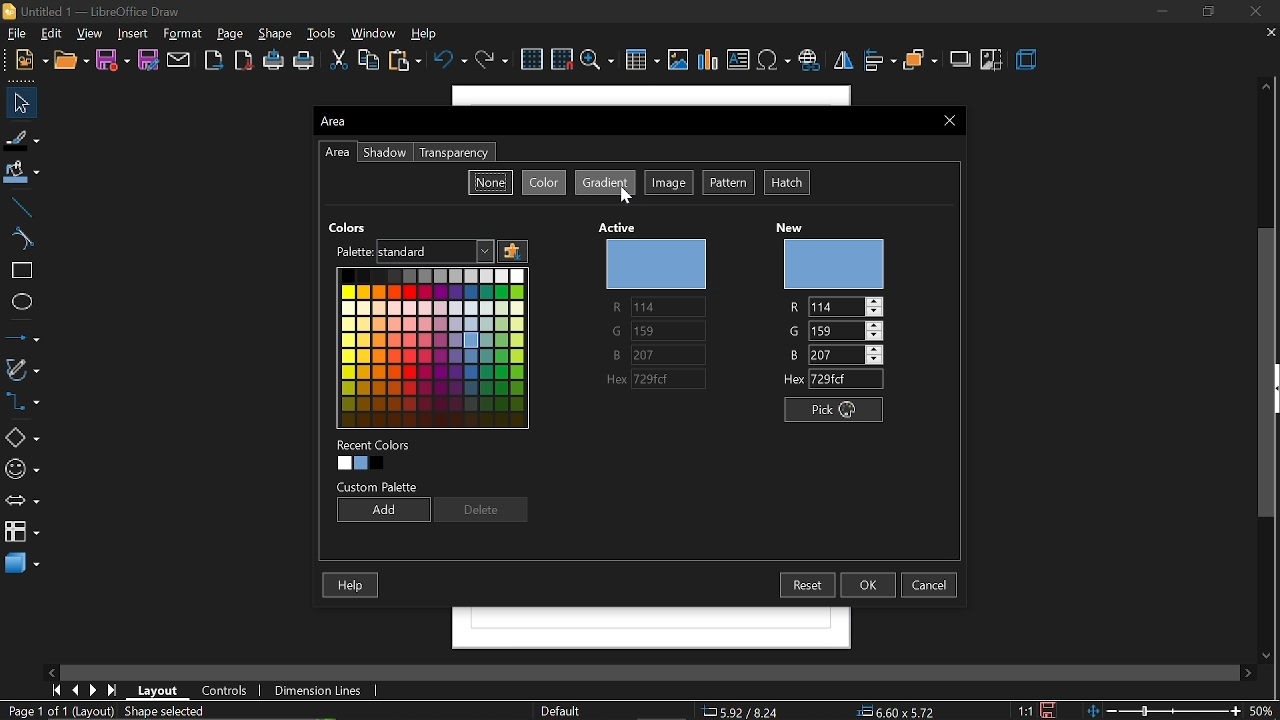 The height and width of the screenshot is (720, 1280). I want to click on arrange, so click(920, 61).